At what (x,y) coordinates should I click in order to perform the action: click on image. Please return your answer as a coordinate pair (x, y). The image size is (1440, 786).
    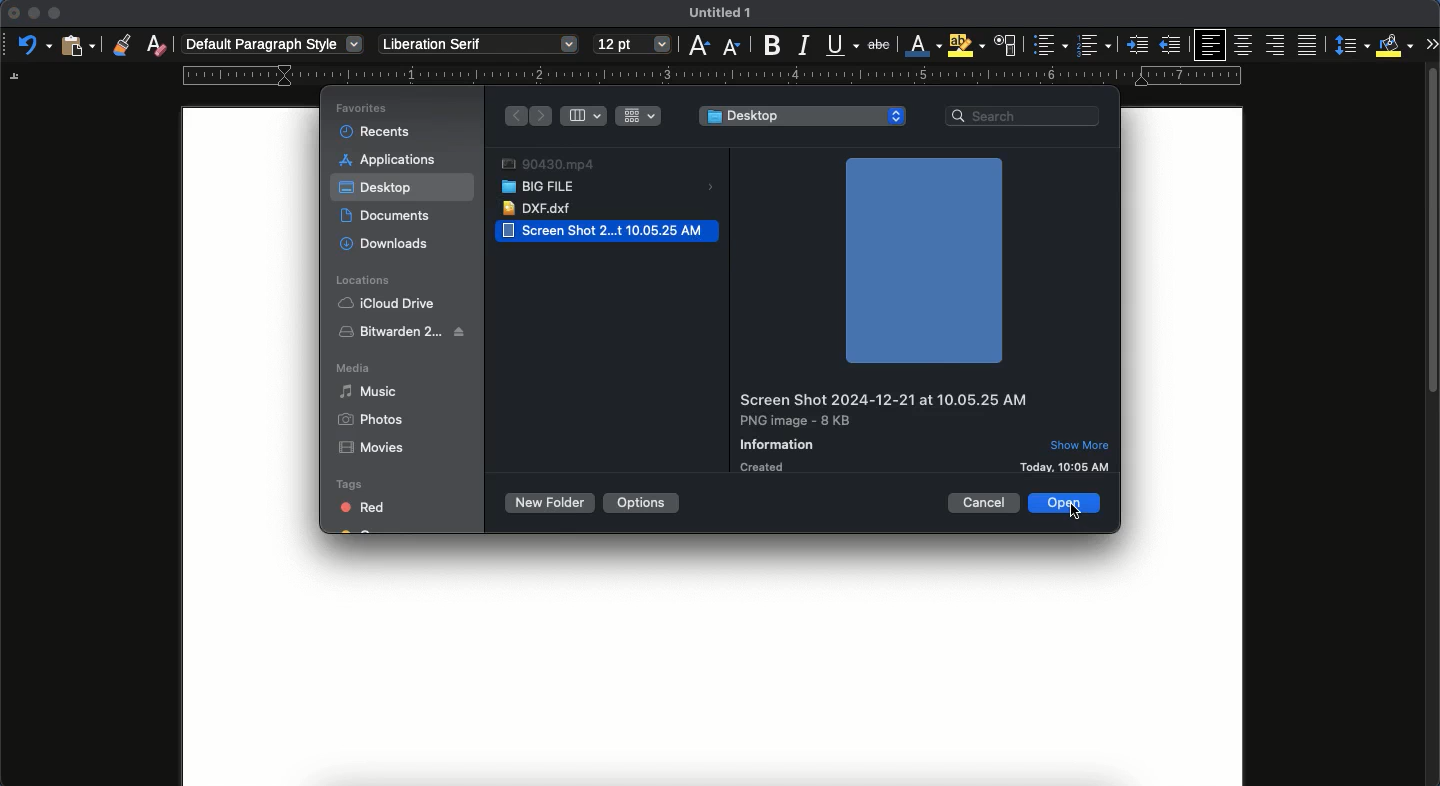
    Looking at the image, I should click on (923, 261).